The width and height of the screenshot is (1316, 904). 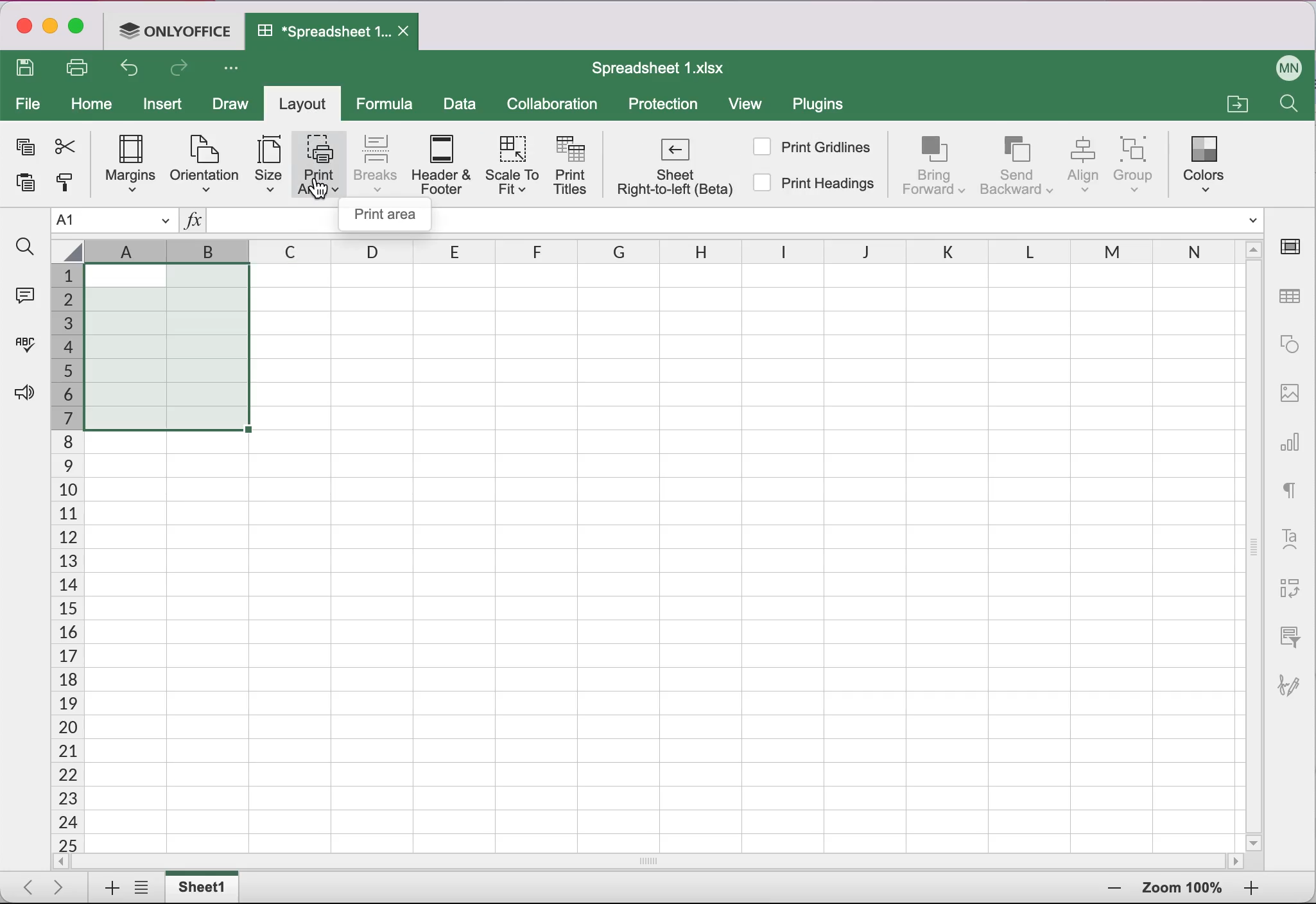 I want to click on cells, so click(x=777, y=555).